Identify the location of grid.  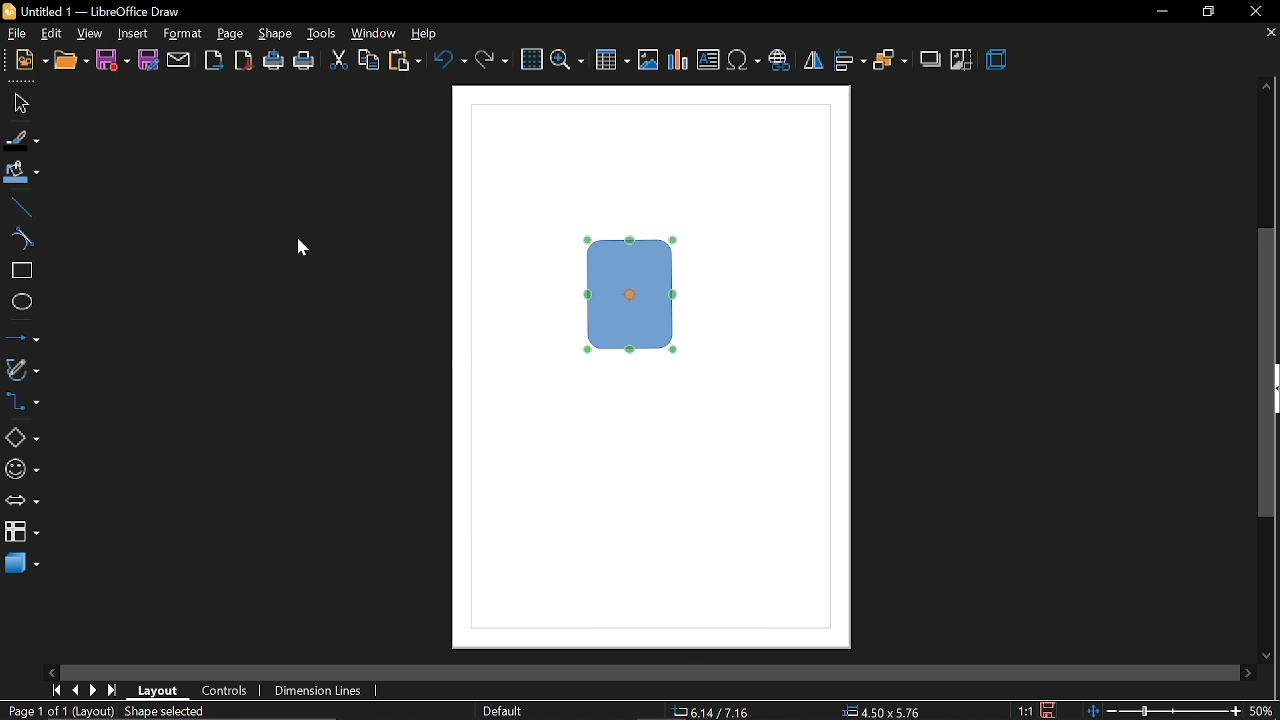
(532, 59).